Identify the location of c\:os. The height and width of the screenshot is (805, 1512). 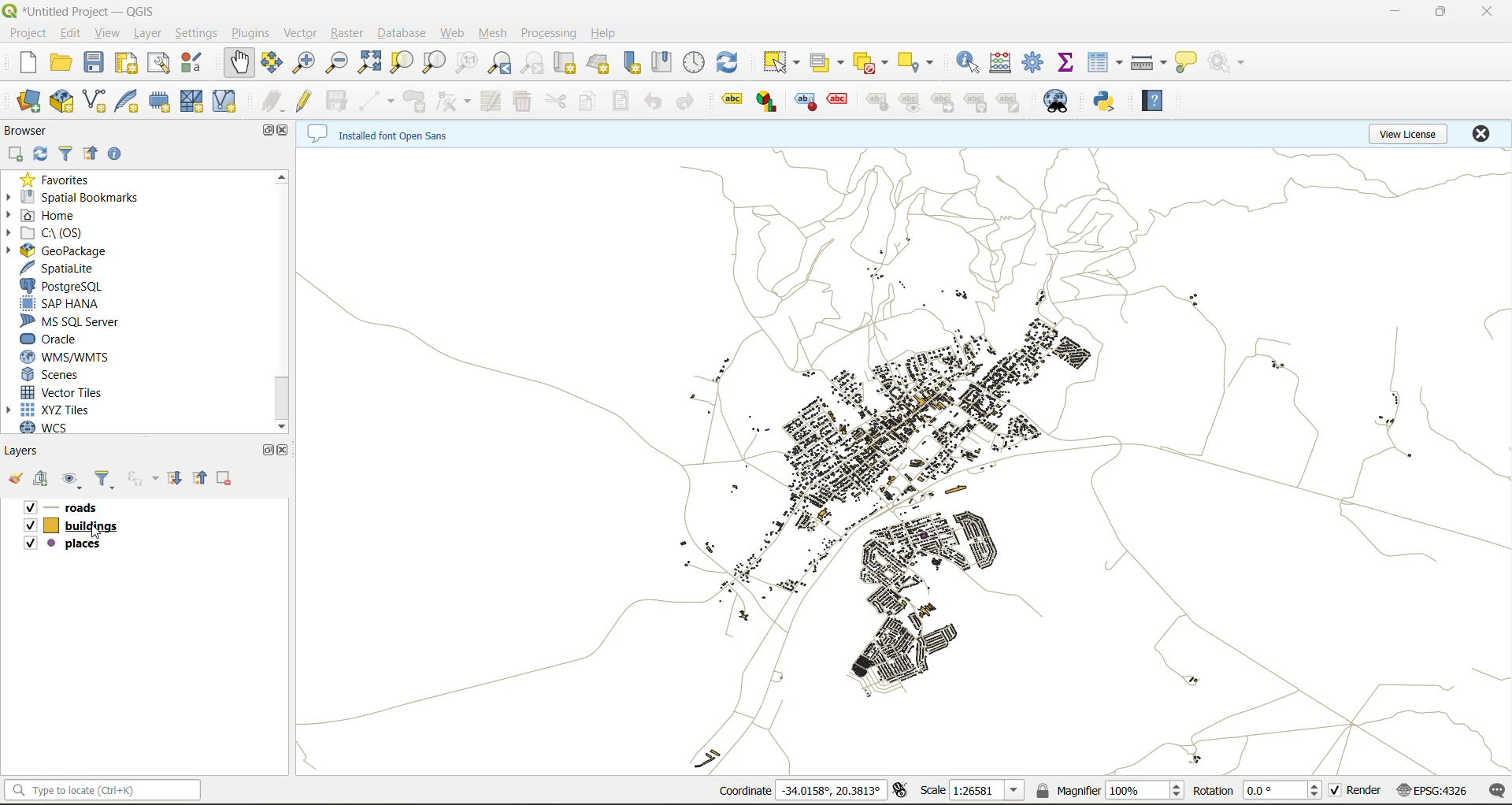
(80, 234).